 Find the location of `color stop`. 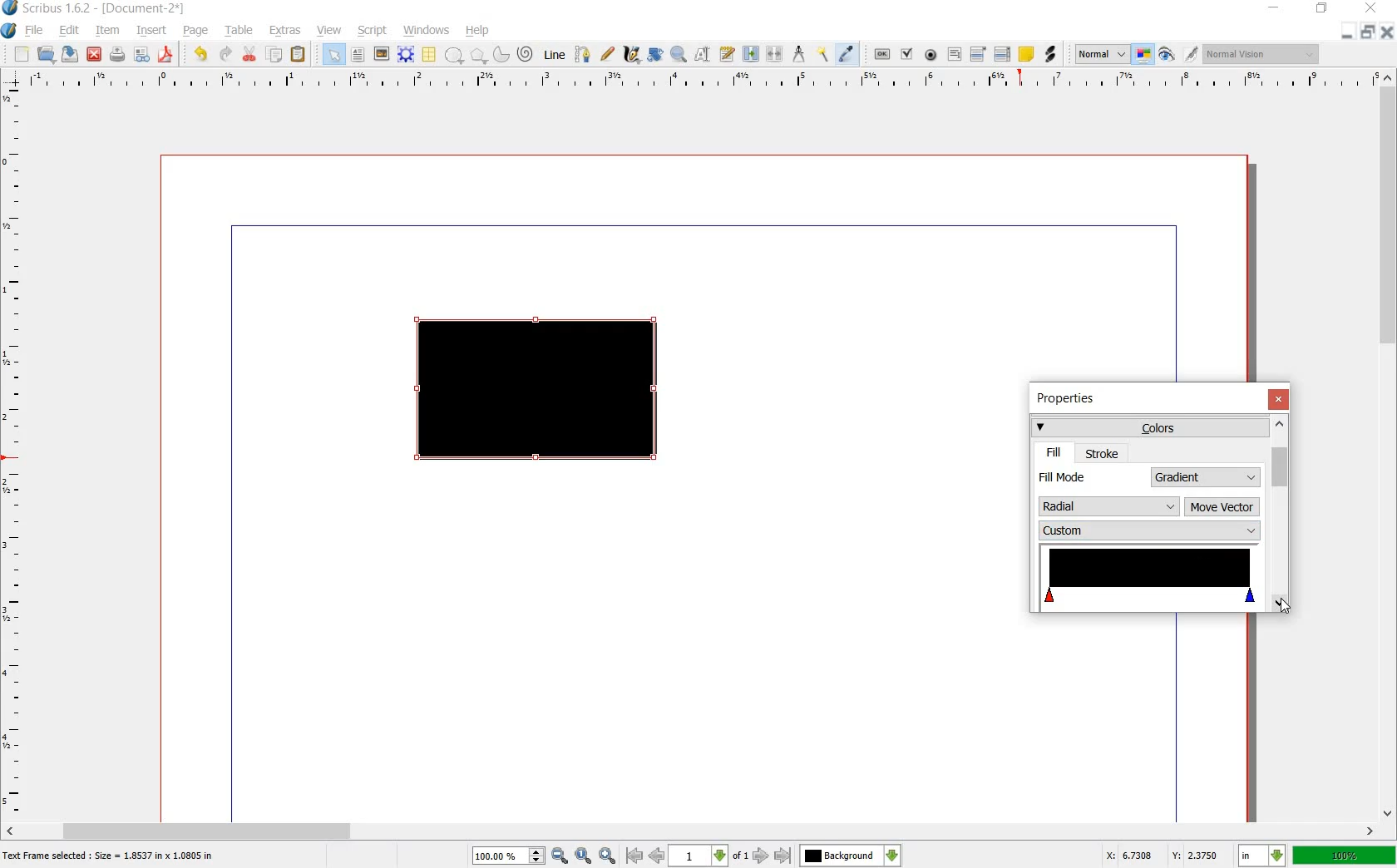

color stop is located at coordinates (1150, 579).